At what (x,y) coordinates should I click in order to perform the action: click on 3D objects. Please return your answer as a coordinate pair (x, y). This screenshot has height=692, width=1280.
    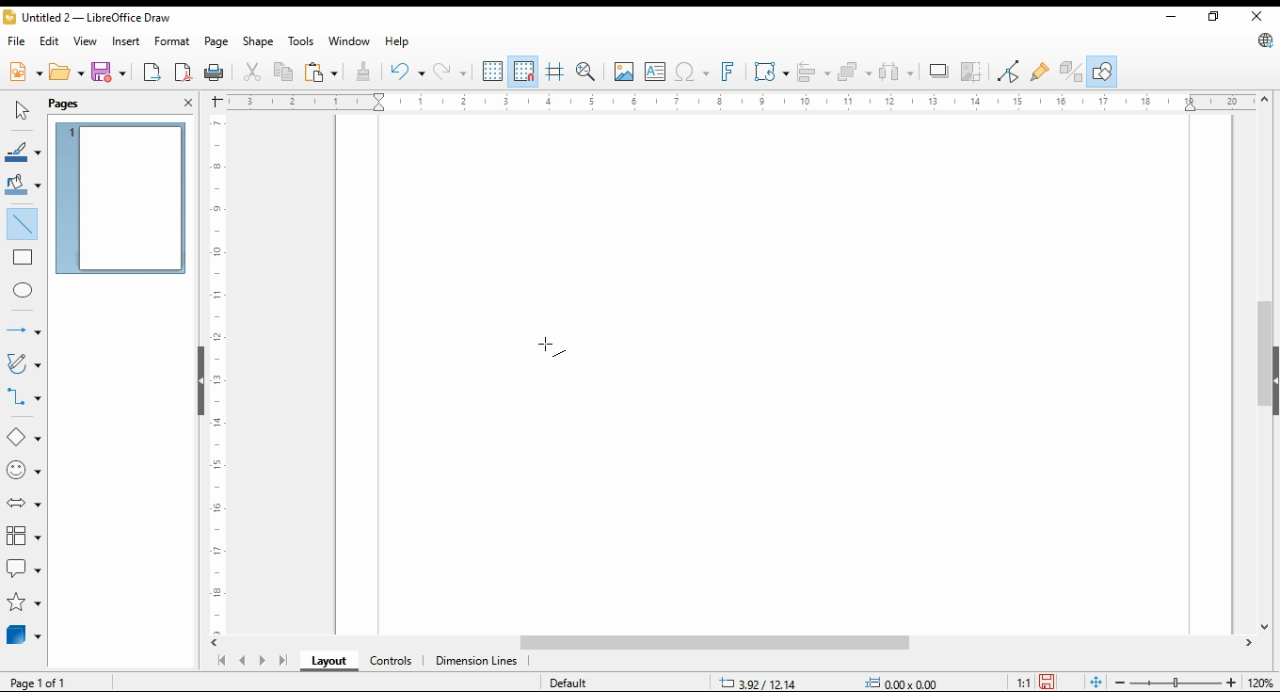
    Looking at the image, I should click on (25, 634).